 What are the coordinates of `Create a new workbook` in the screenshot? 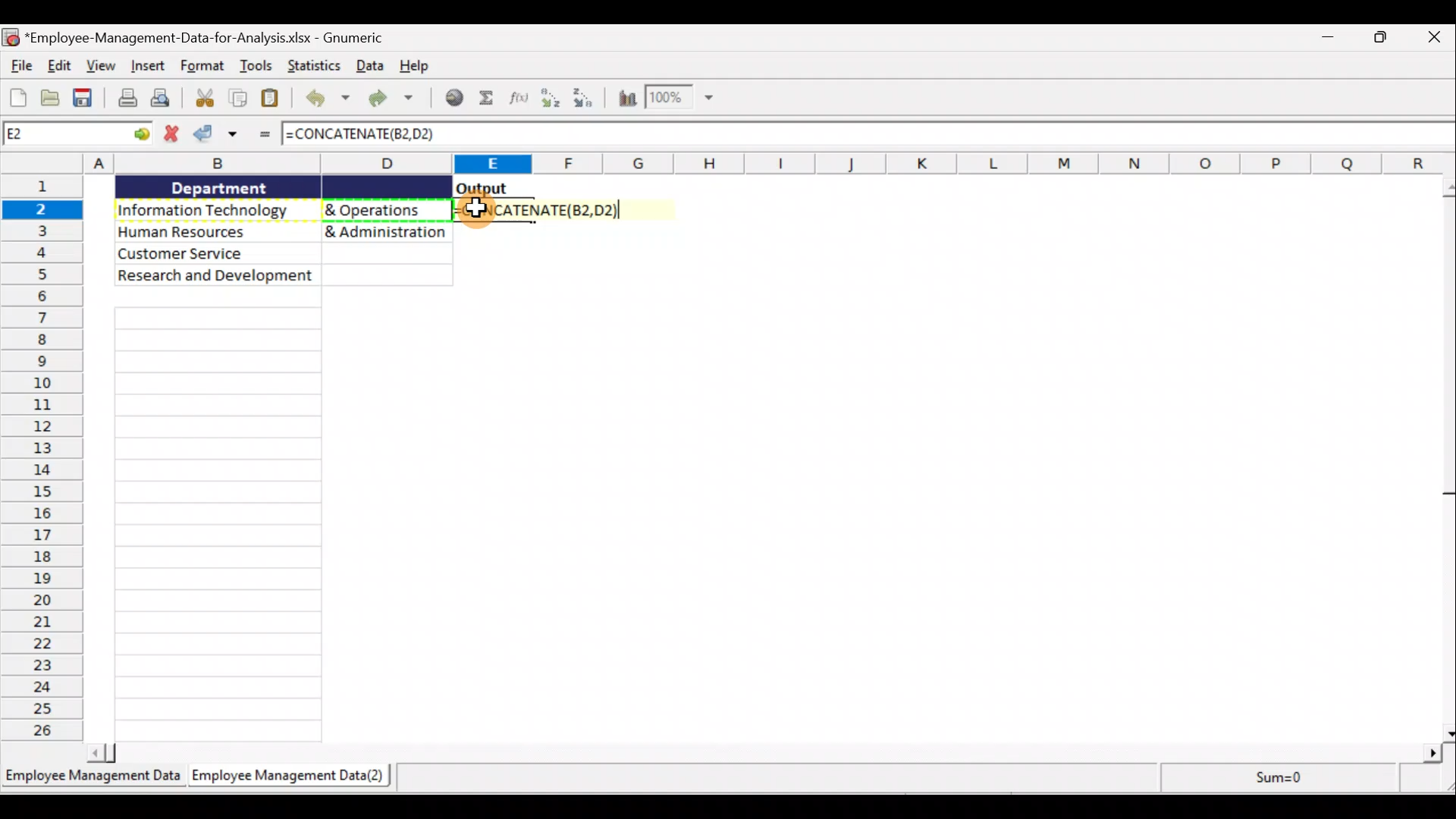 It's located at (17, 96).